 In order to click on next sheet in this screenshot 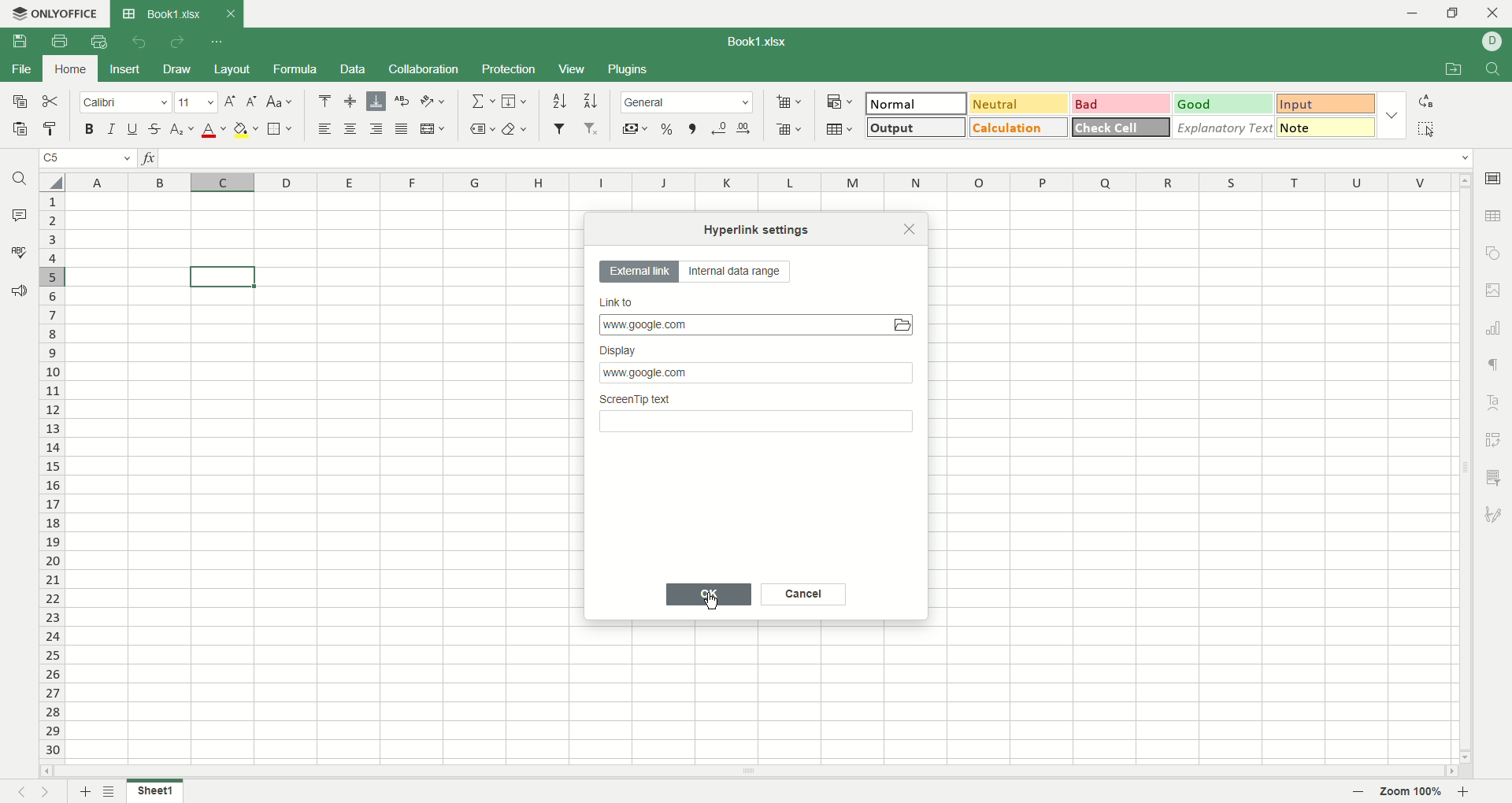, I will do `click(50, 792)`.